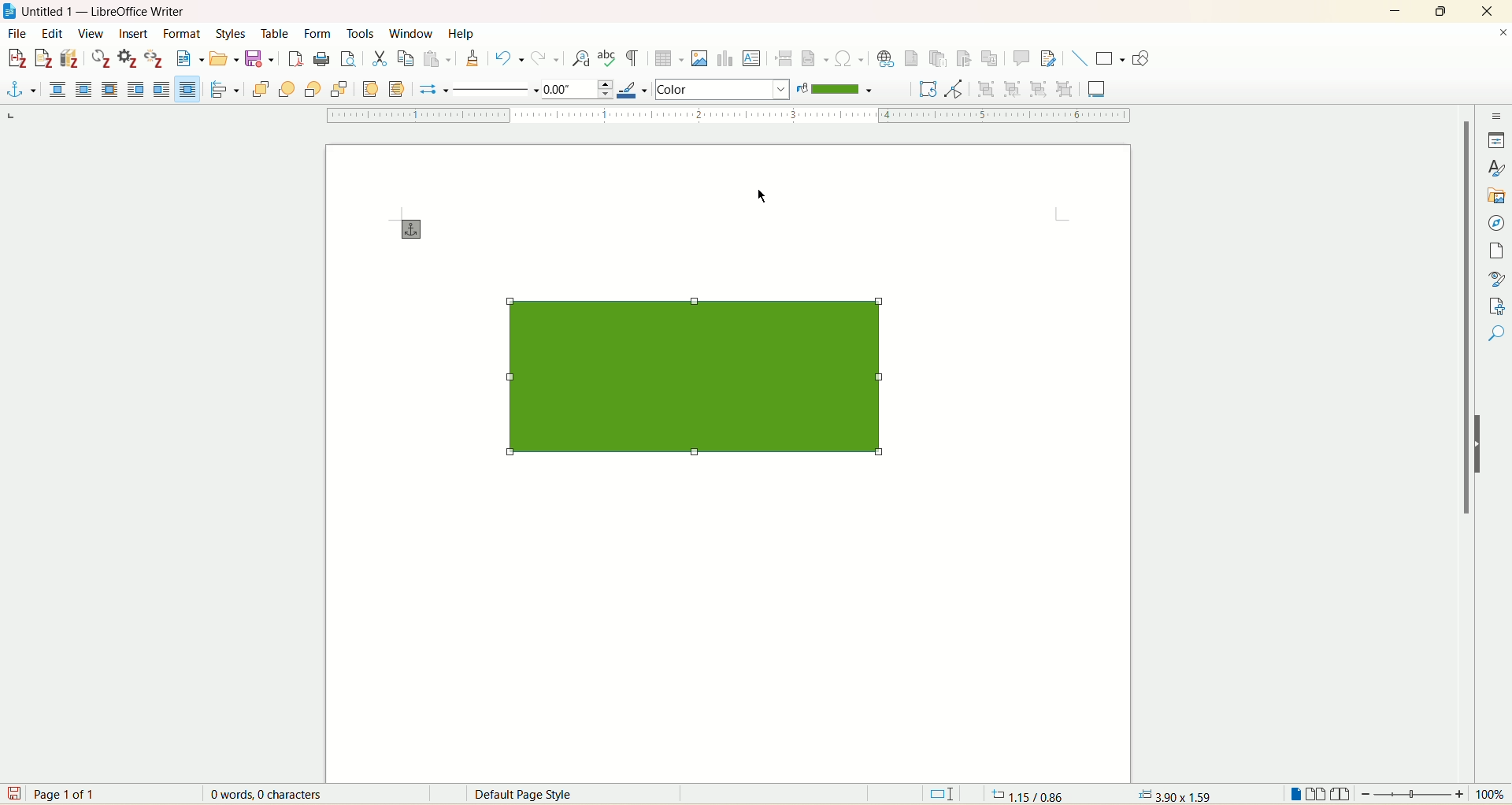 The height and width of the screenshot is (805, 1512). What do you see at coordinates (631, 90) in the screenshot?
I see `line color` at bounding box center [631, 90].